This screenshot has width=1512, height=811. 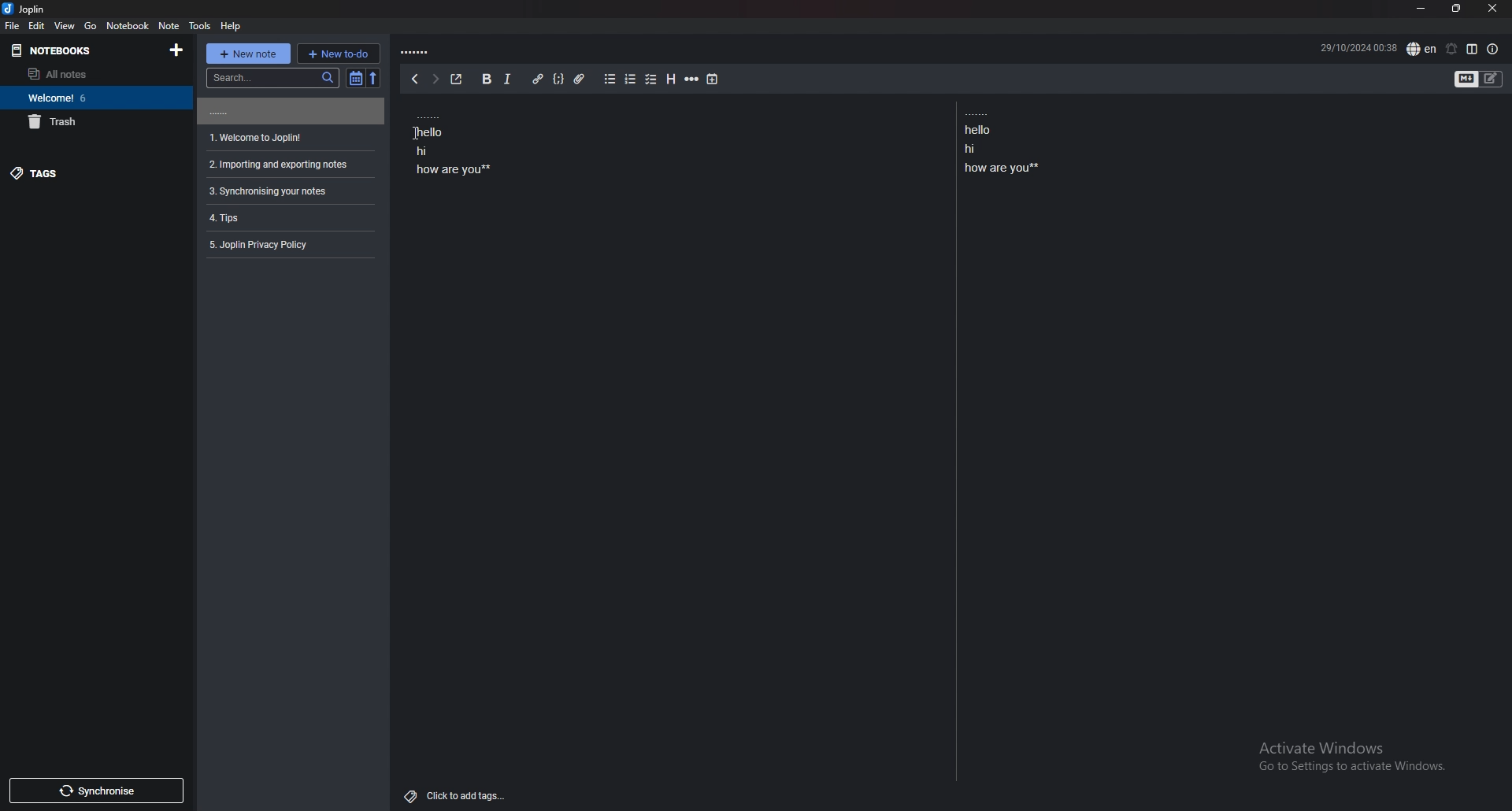 I want to click on tools, so click(x=201, y=26).